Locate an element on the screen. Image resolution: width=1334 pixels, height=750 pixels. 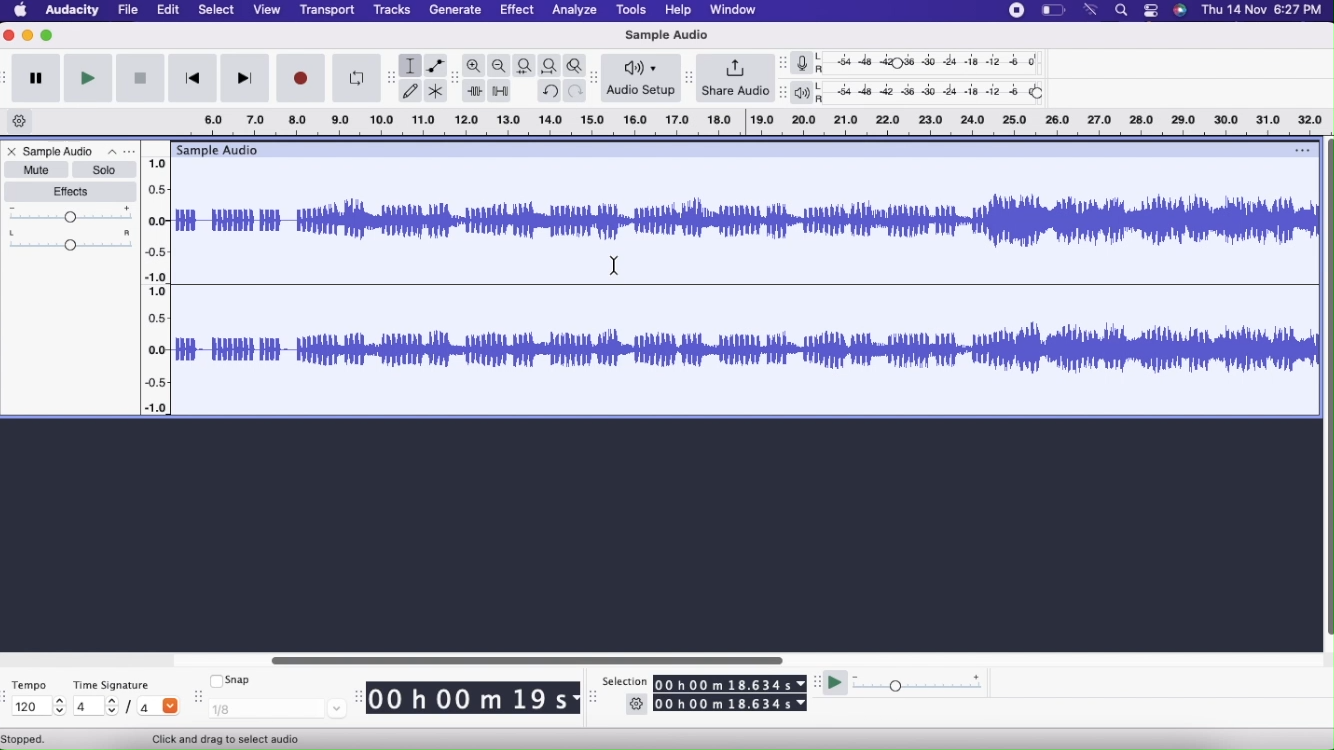
Playback speed is located at coordinates (917, 682).